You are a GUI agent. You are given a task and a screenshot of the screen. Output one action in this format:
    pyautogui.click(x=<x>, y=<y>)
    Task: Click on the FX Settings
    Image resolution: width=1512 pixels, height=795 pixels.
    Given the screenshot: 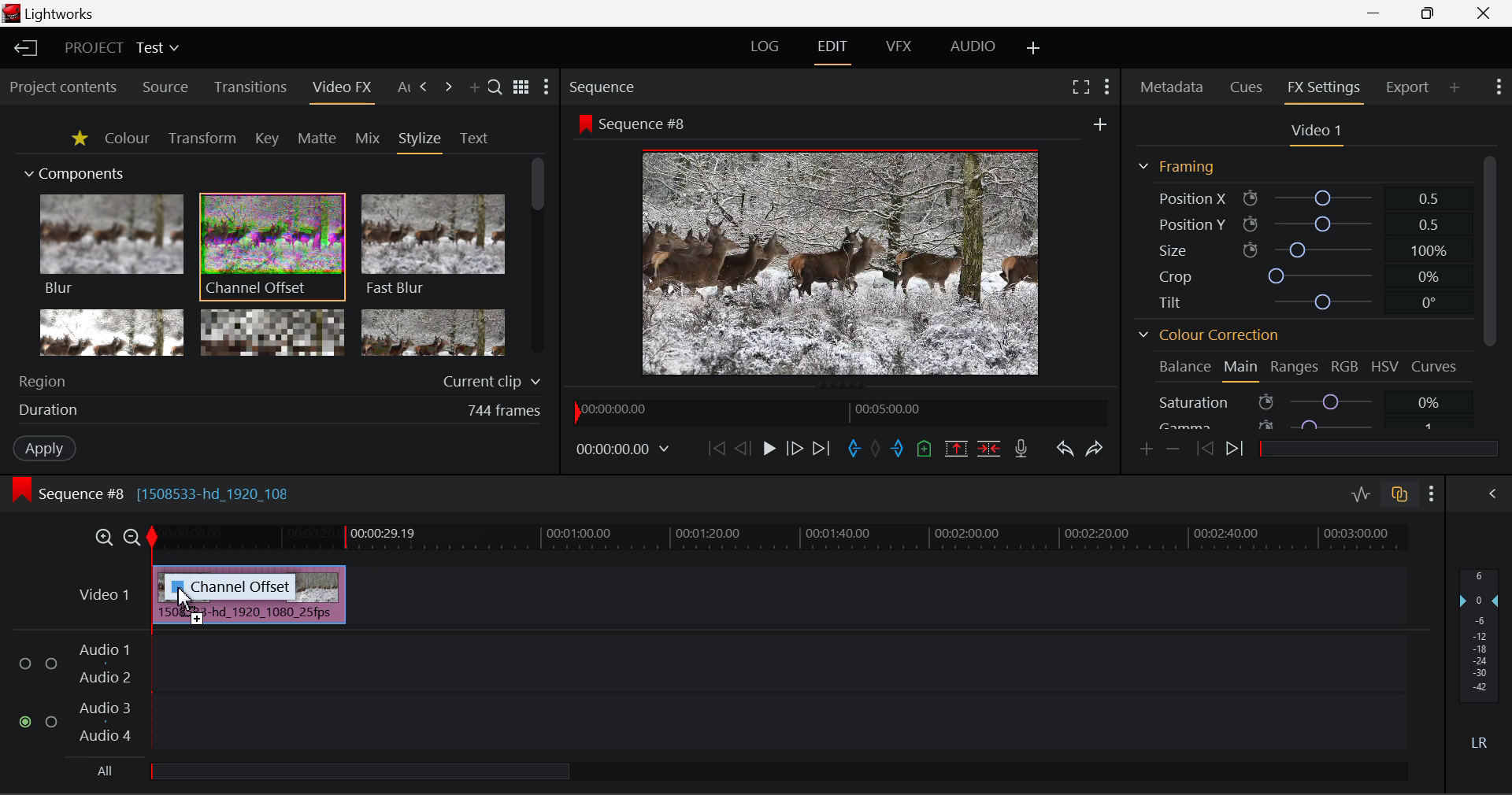 What is the action you would take?
    pyautogui.click(x=1325, y=89)
    